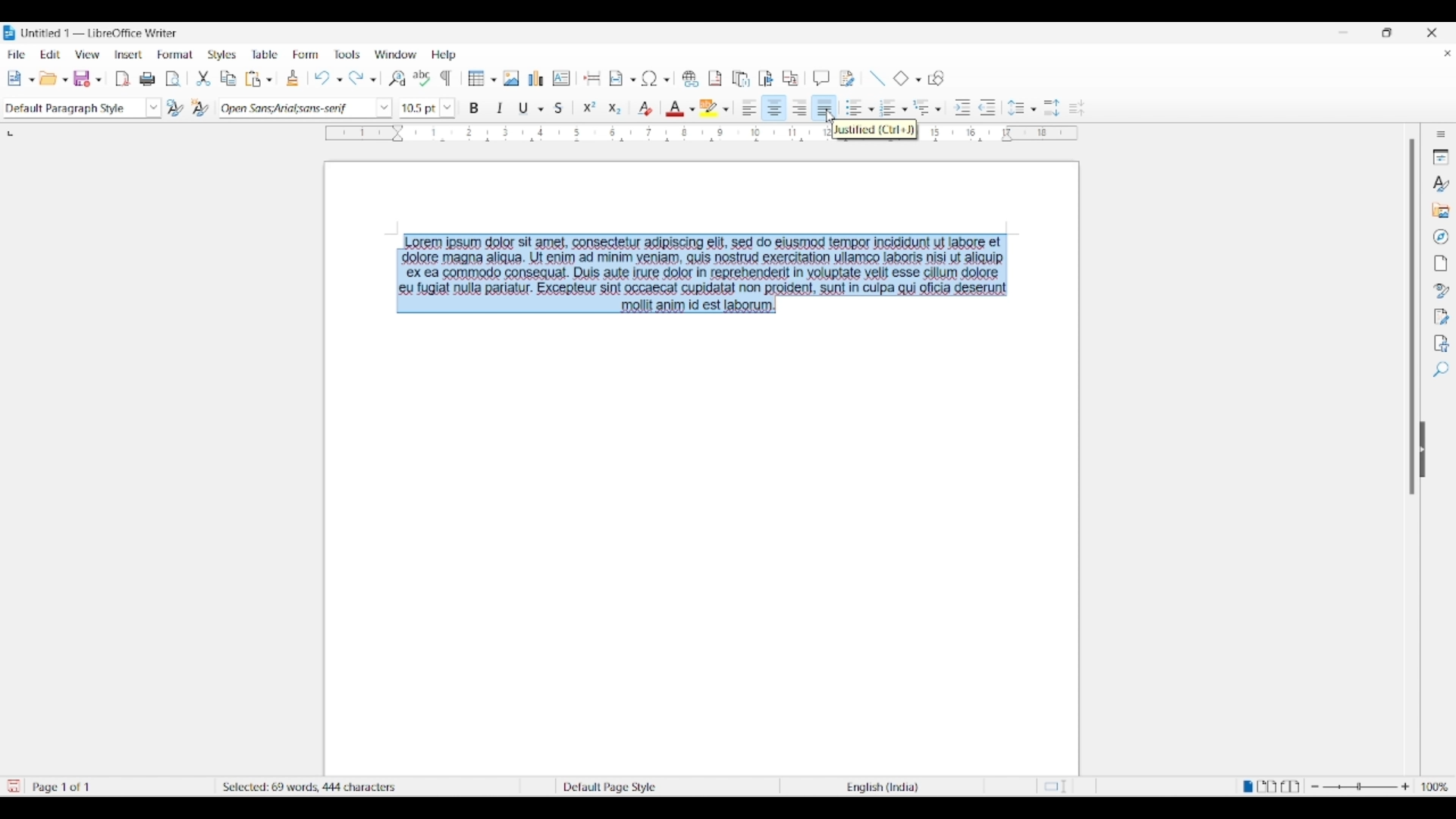  I want to click on Close interface, so click(1431, 33).